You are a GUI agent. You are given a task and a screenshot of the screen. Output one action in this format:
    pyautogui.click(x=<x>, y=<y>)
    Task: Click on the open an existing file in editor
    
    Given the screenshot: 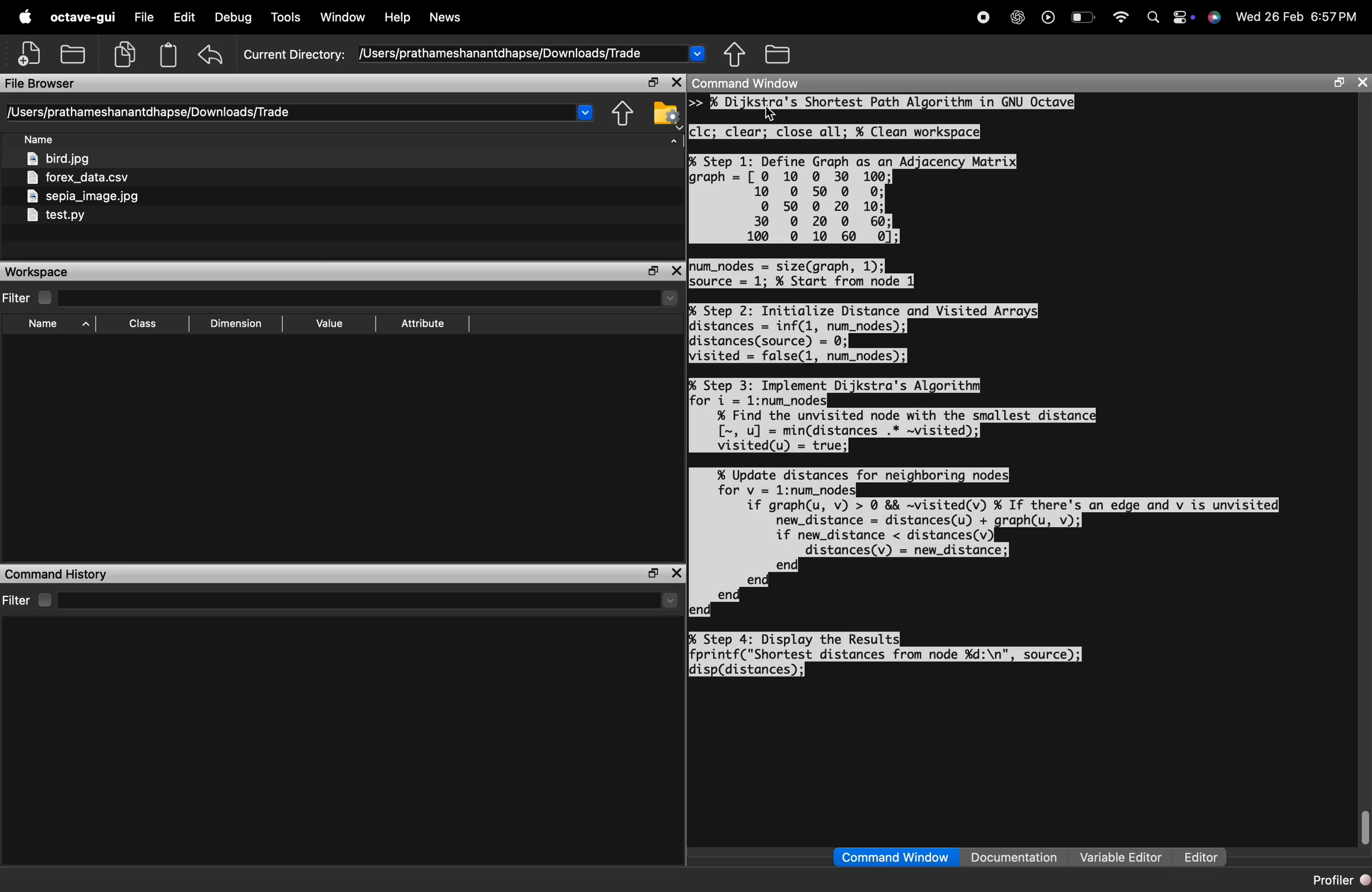 What is the action you would take?
    pyautogui.click(x=75, y=53)
    